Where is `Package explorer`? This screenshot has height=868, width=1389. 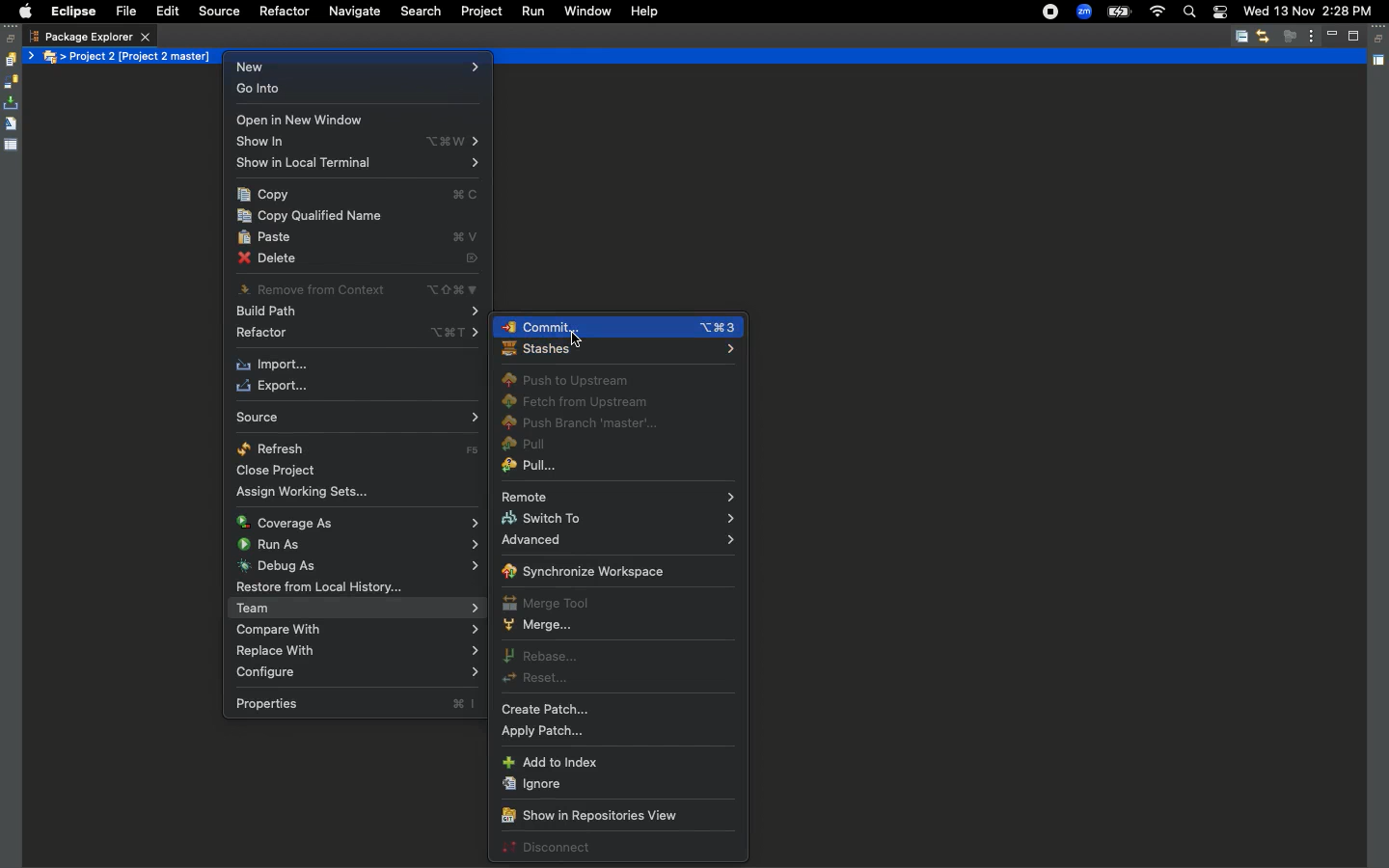
Package explorer is located at coordinates (90, 37).